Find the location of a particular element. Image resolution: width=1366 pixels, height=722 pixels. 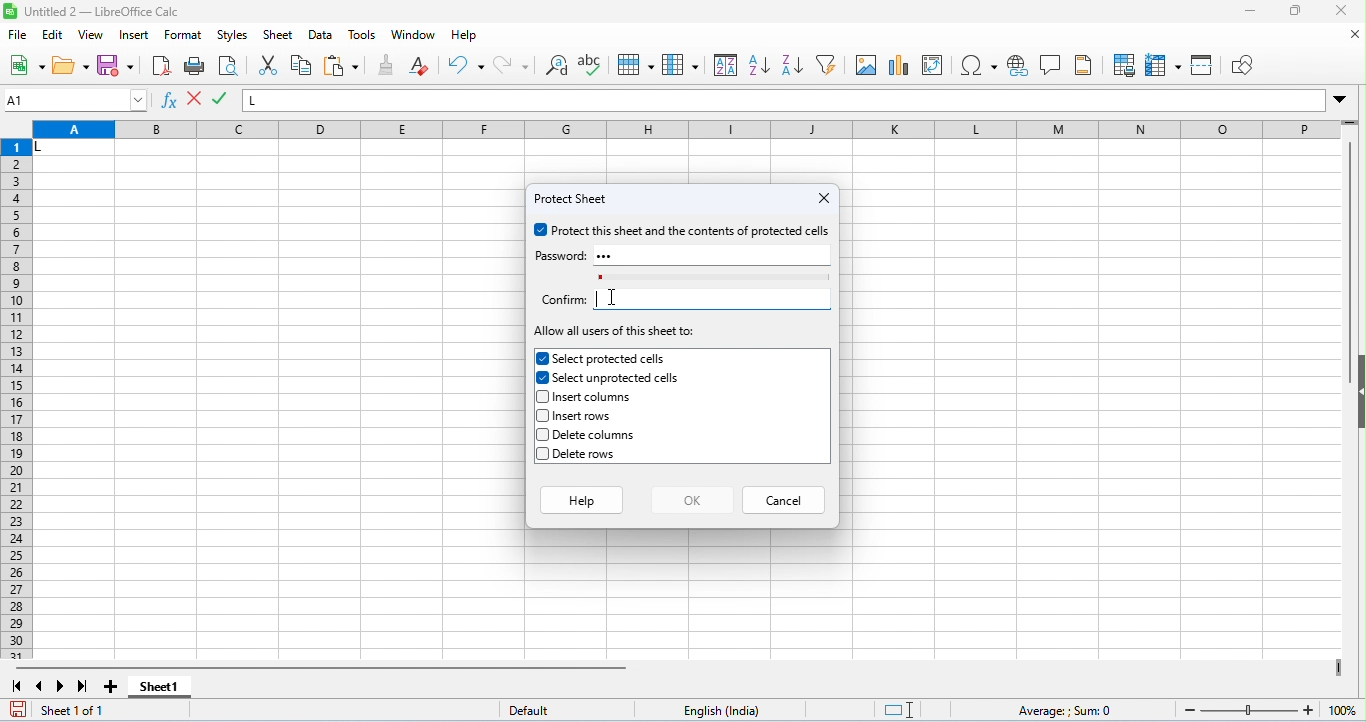

split window is located at coordinates (1204, 64).